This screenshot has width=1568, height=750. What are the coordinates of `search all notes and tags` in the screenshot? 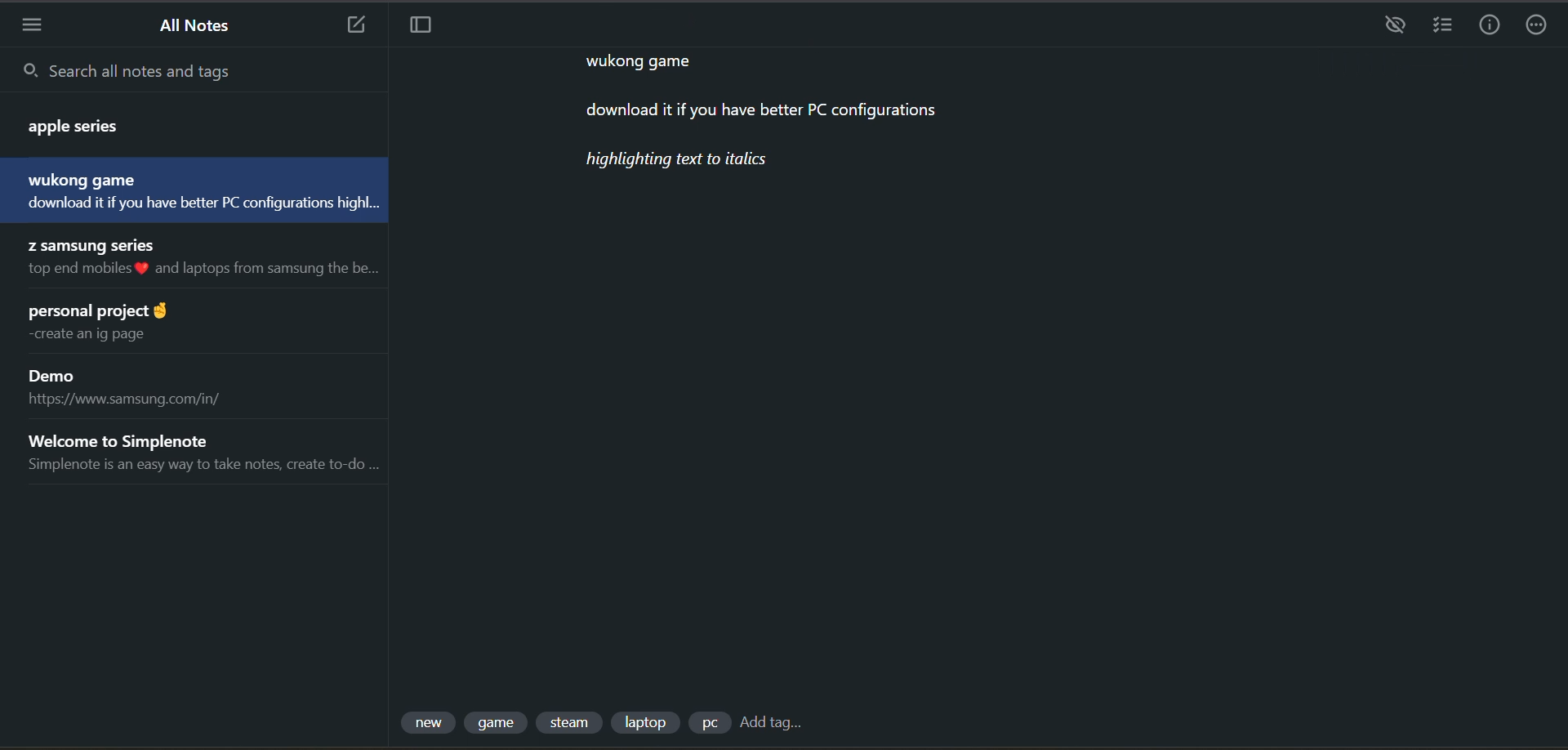 It's located at (198, 69).